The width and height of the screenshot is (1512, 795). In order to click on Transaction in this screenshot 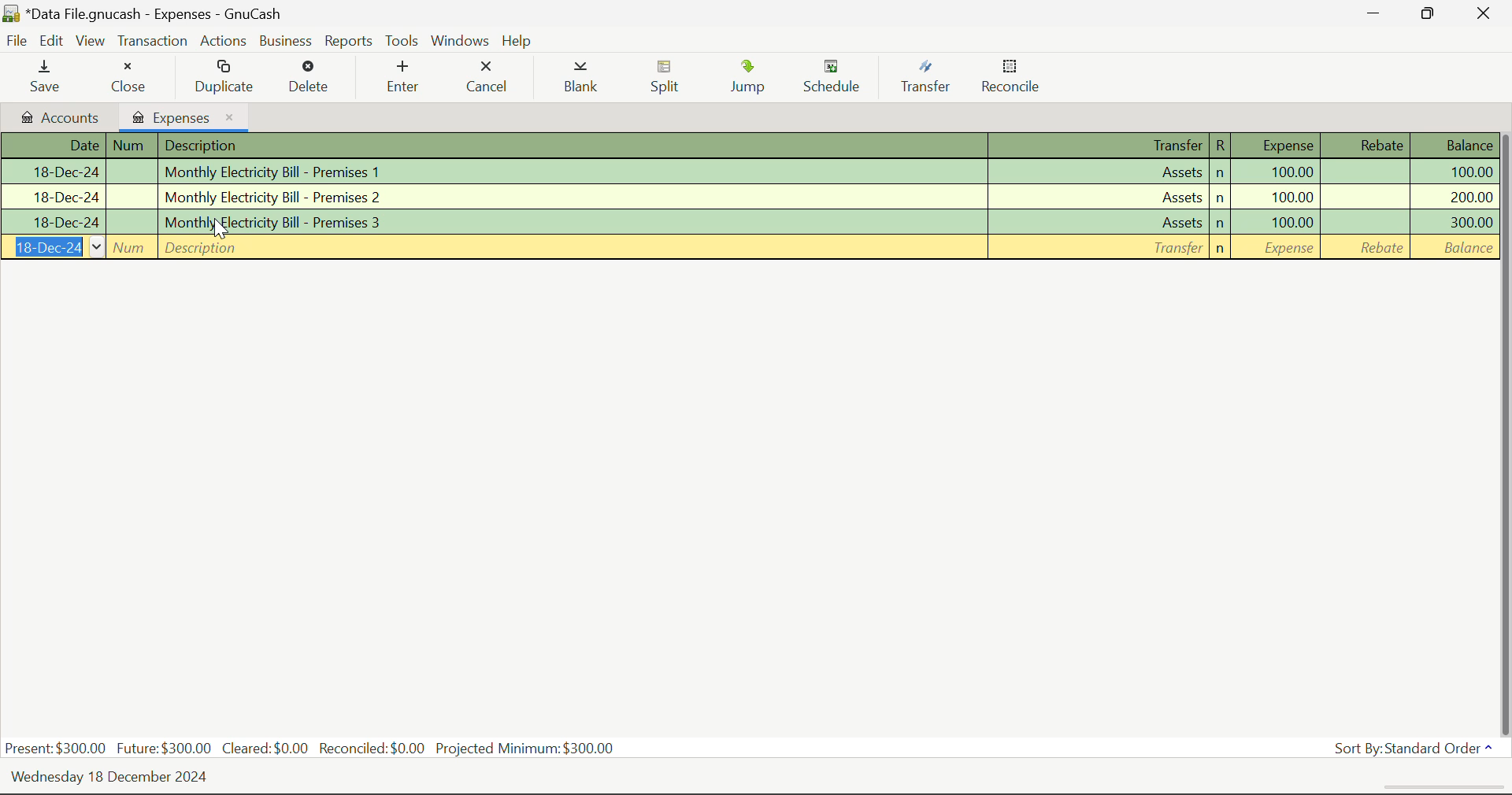, I will do `click(152, 42)`.